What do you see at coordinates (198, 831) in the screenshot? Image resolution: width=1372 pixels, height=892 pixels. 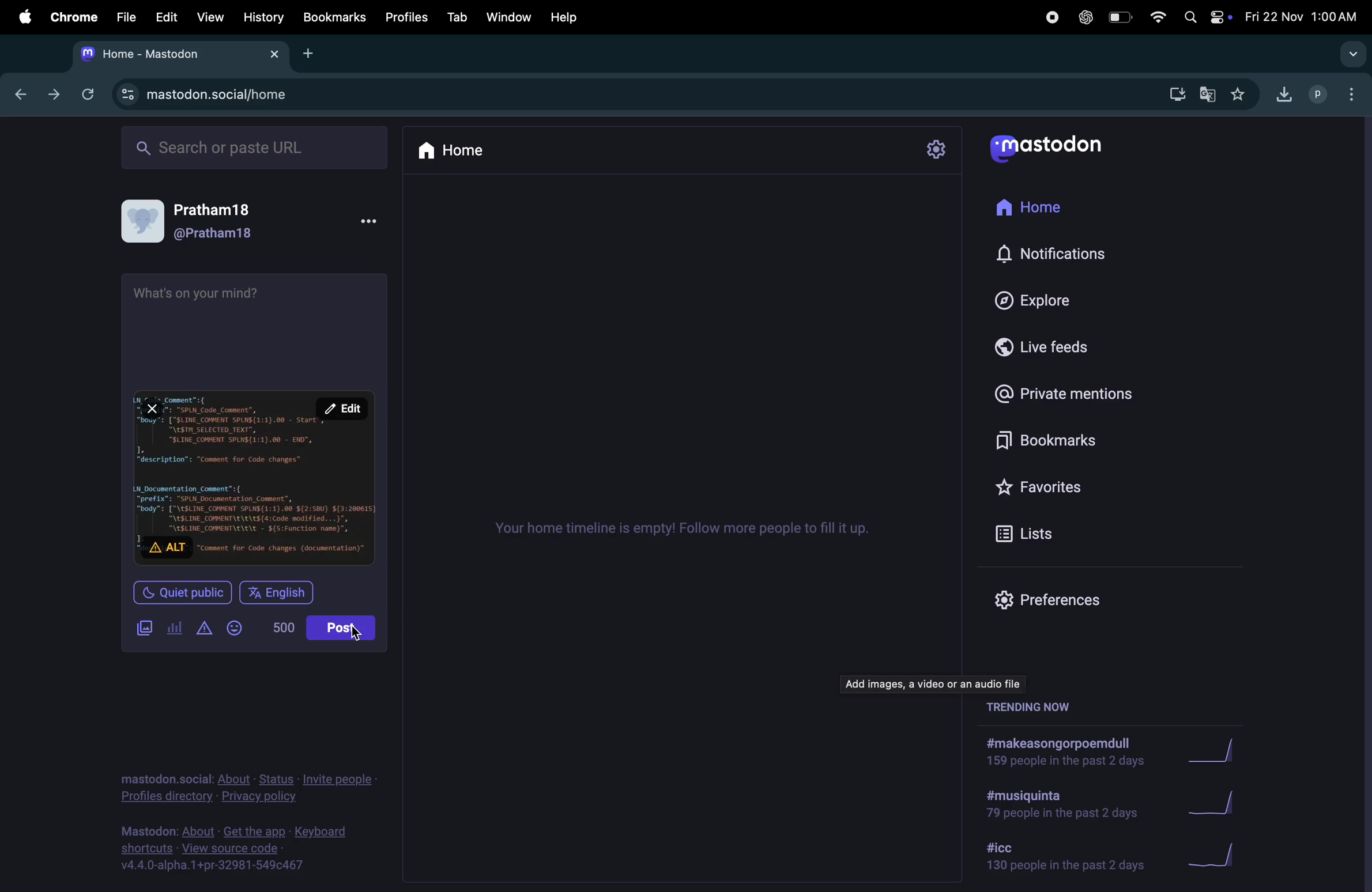 I see `about` at bounding box center [198, 831].